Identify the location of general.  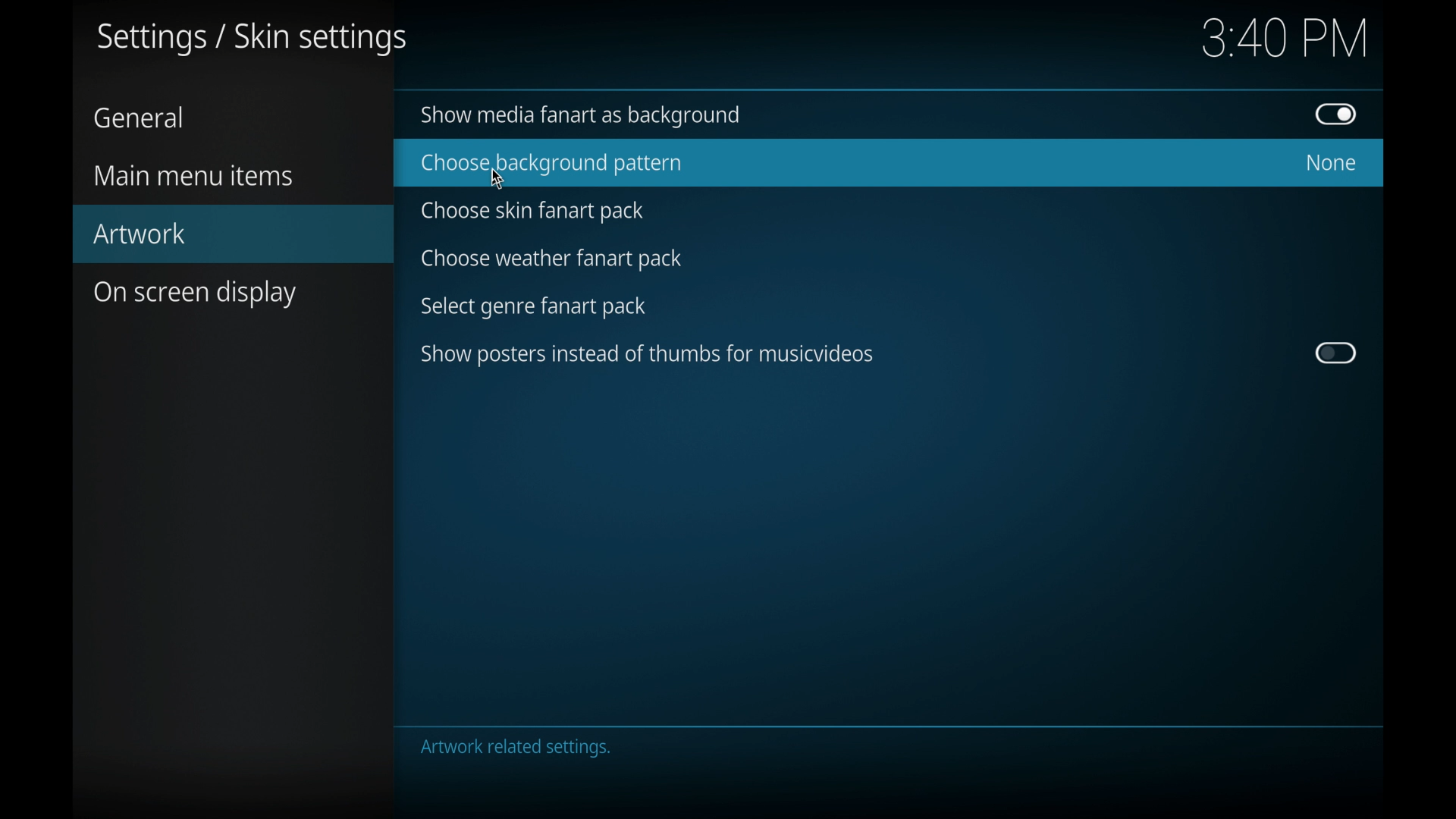
(138, 117).